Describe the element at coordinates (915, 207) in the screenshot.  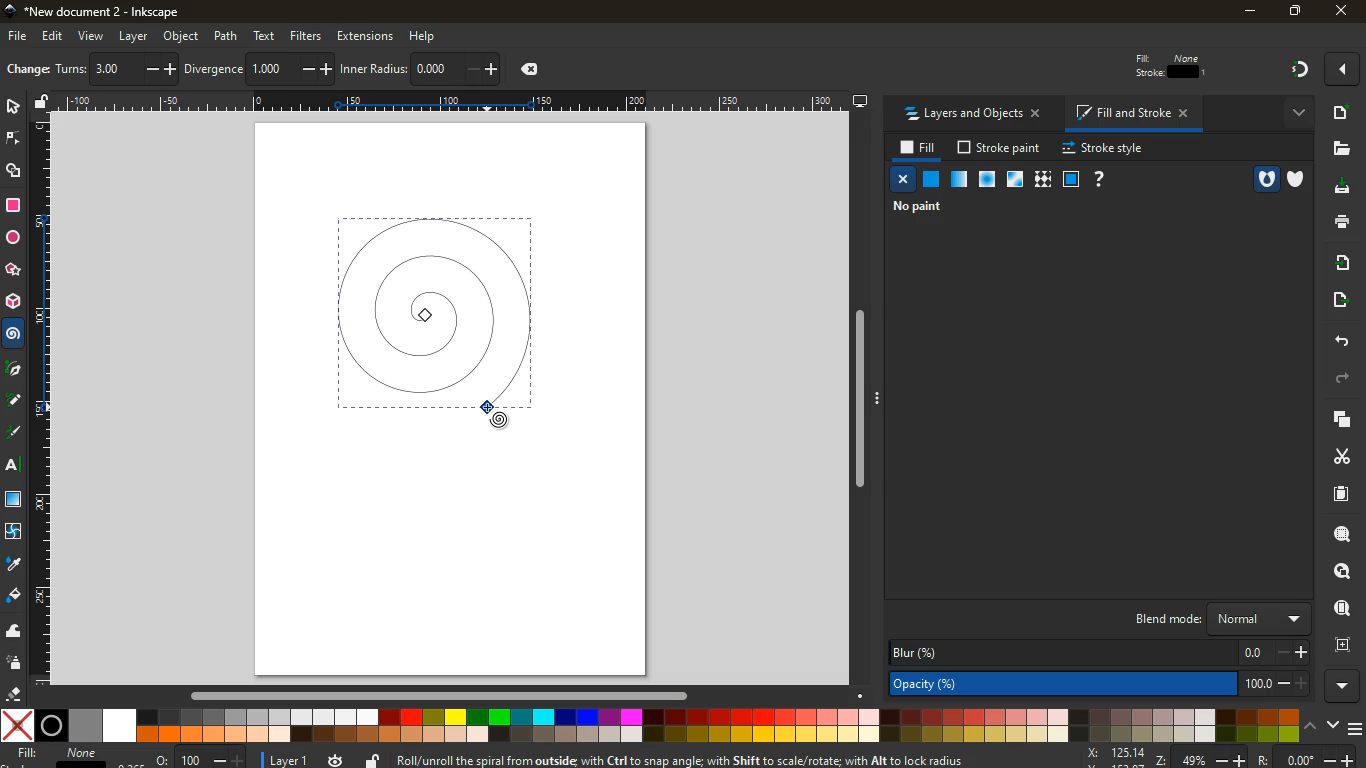
I see `no objects` at that location.